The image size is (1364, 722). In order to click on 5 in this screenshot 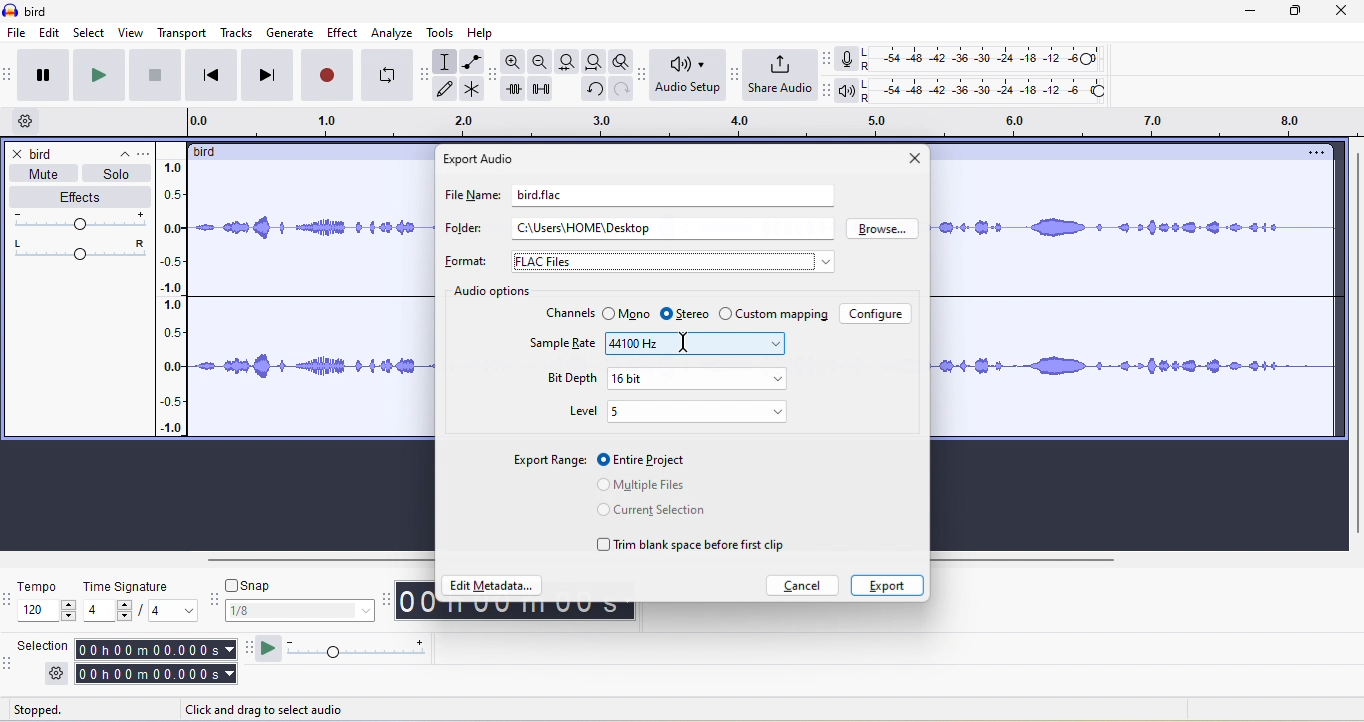, I will do `click(698, 412)`.